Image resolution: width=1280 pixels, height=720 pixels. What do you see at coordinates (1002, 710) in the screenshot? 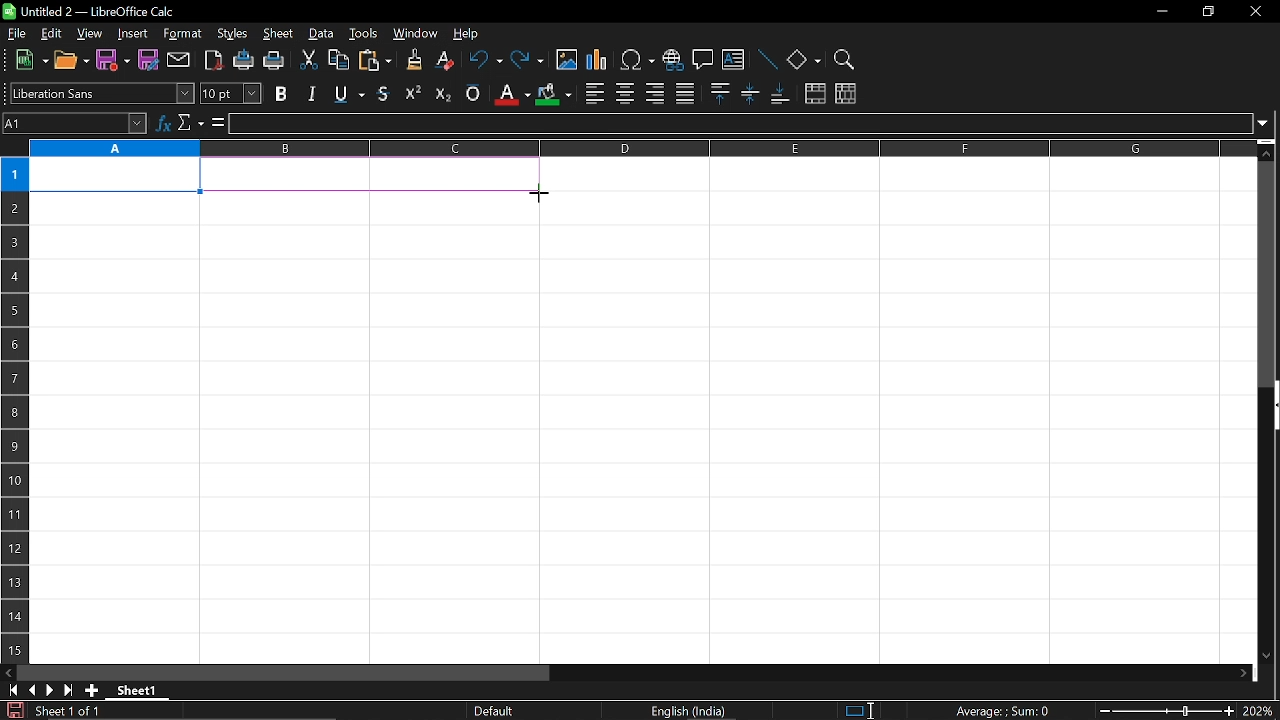
I see `Average:;Sum: 0` at bounding box center [1002, 710].